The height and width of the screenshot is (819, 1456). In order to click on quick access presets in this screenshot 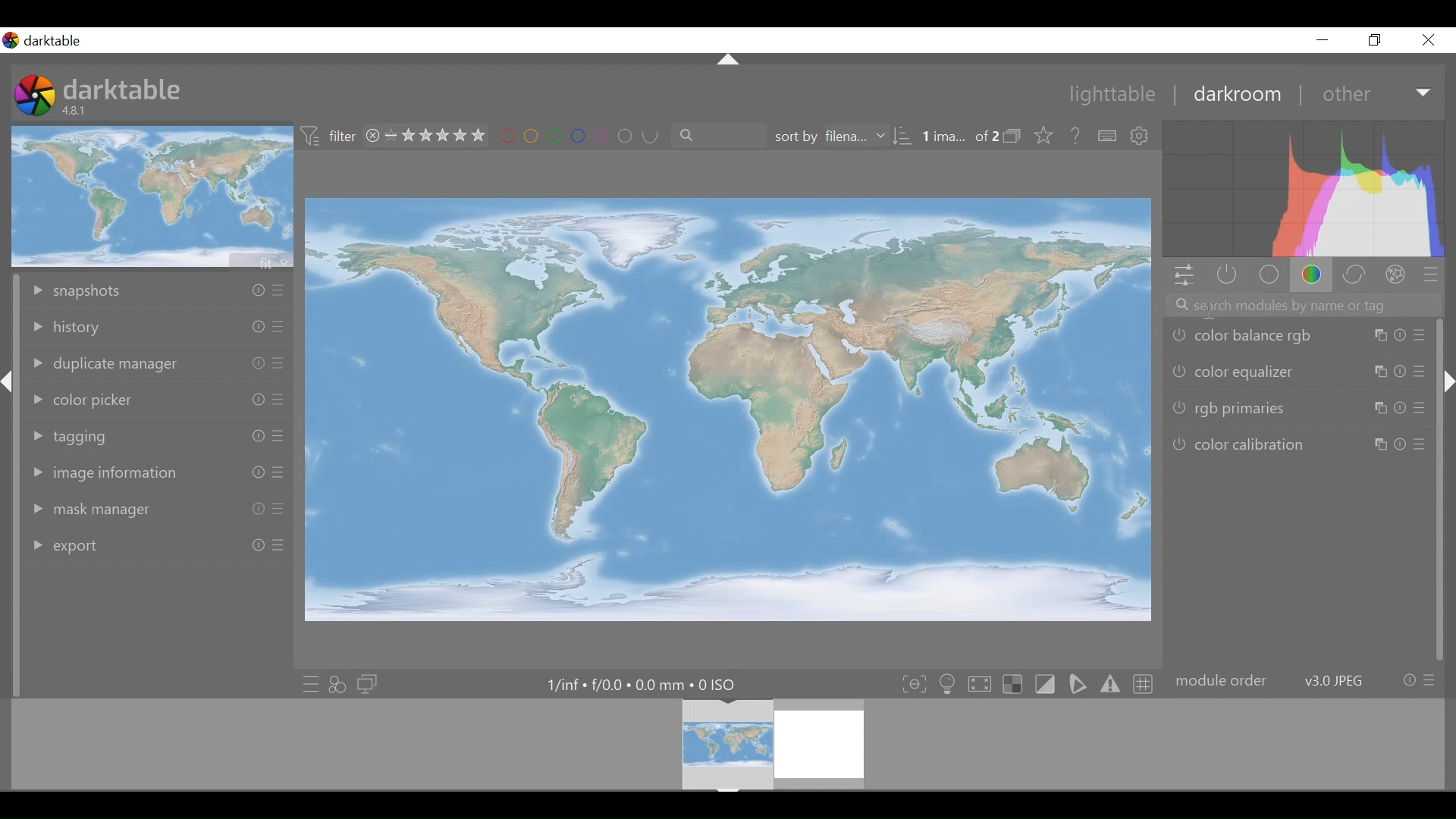, I will do `click(306, 683)`.